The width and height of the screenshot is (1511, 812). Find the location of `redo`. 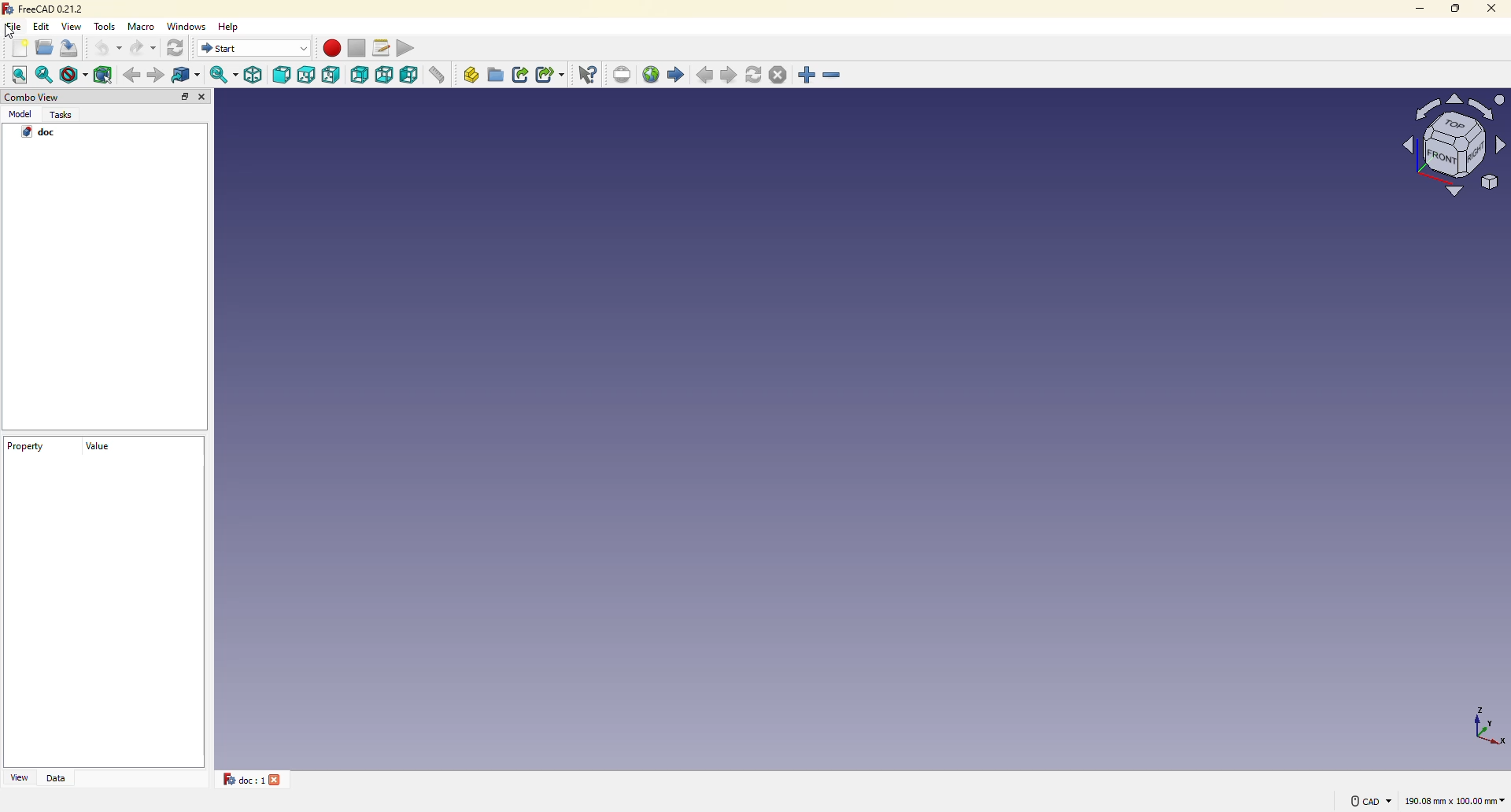

redo is located at coordinates (144, 50).